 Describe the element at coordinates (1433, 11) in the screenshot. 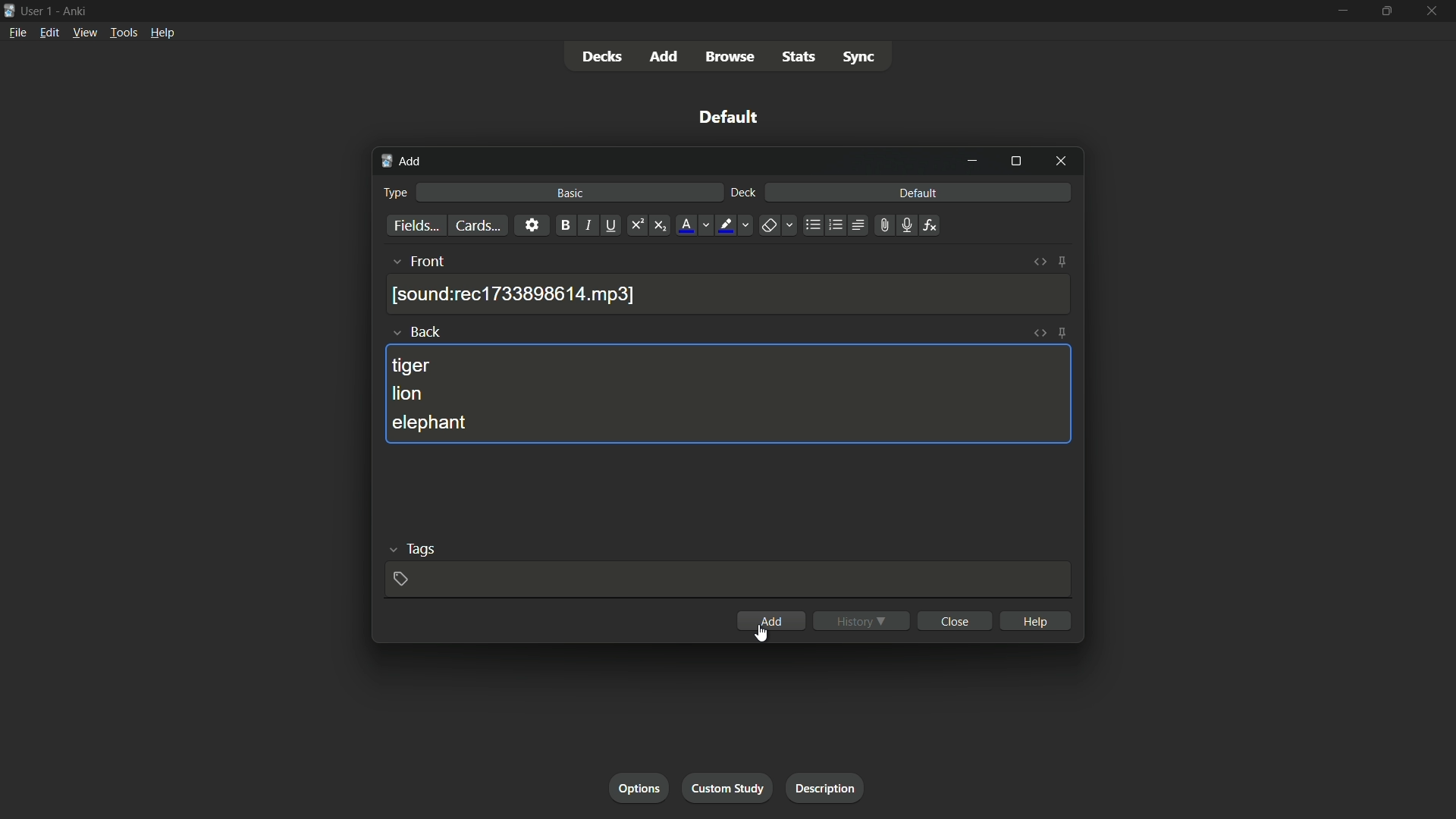

I see `close app` at that location.